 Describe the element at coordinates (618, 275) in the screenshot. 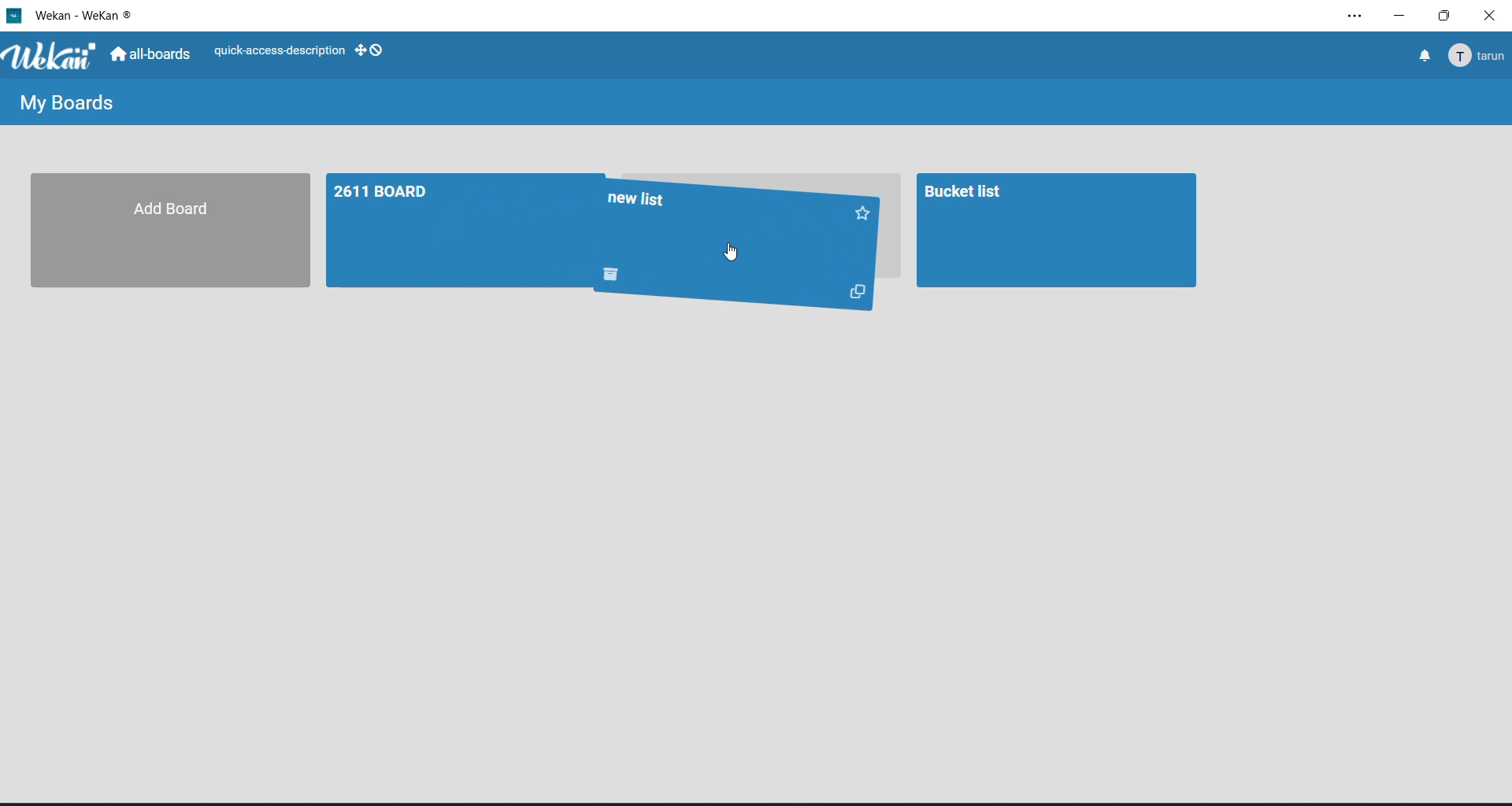

I see `Delete` at that location.